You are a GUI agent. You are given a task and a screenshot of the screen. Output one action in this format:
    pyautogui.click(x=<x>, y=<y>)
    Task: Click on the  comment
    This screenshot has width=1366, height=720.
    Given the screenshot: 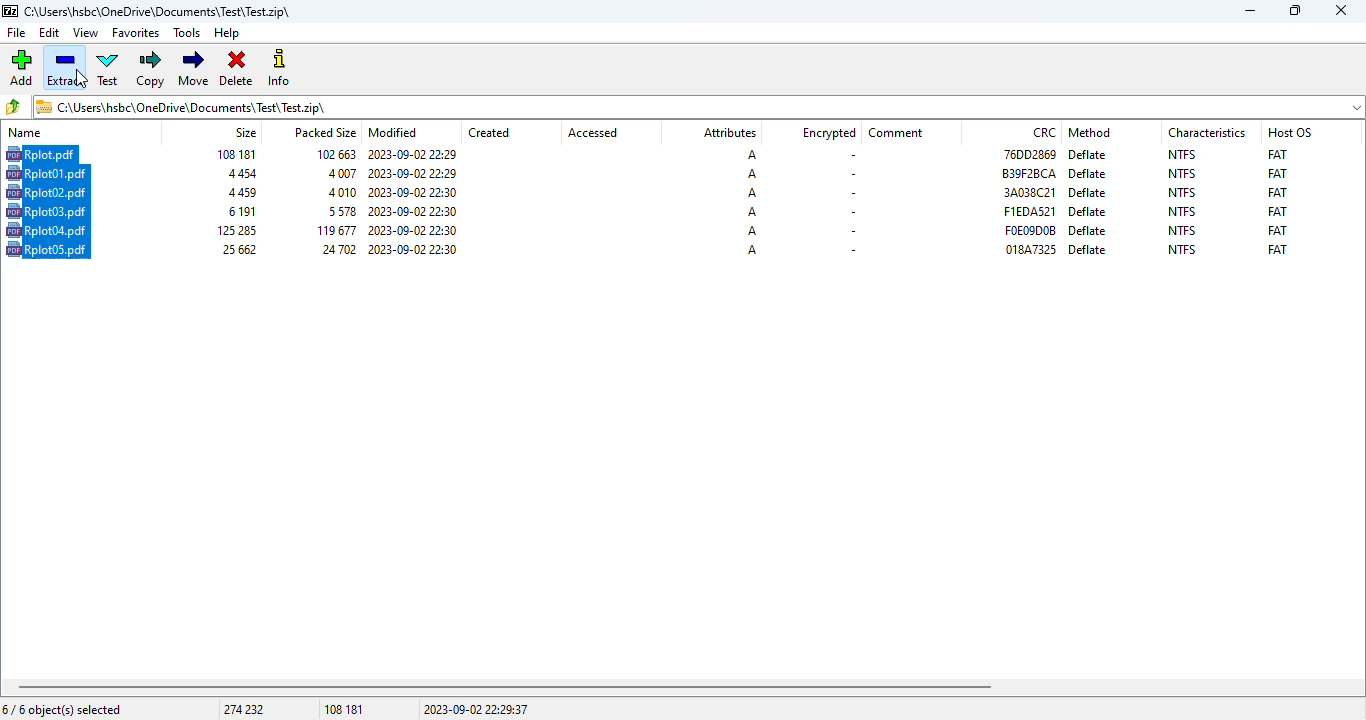 What is the action you would take?
    pyautogui.click(x=896, y=133)
    